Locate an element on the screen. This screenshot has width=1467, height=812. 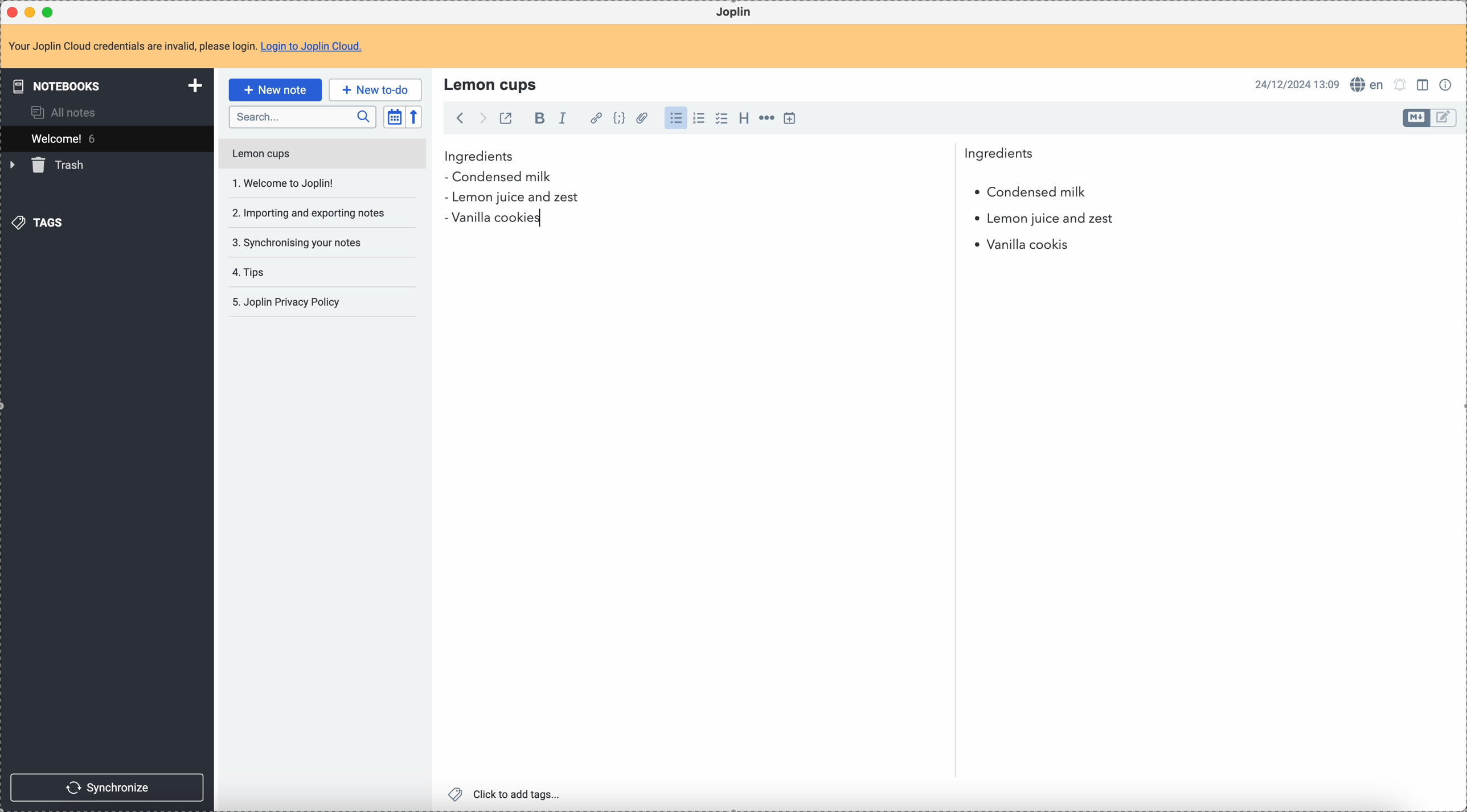
horizontal rule is located at coordinates (765, 120).